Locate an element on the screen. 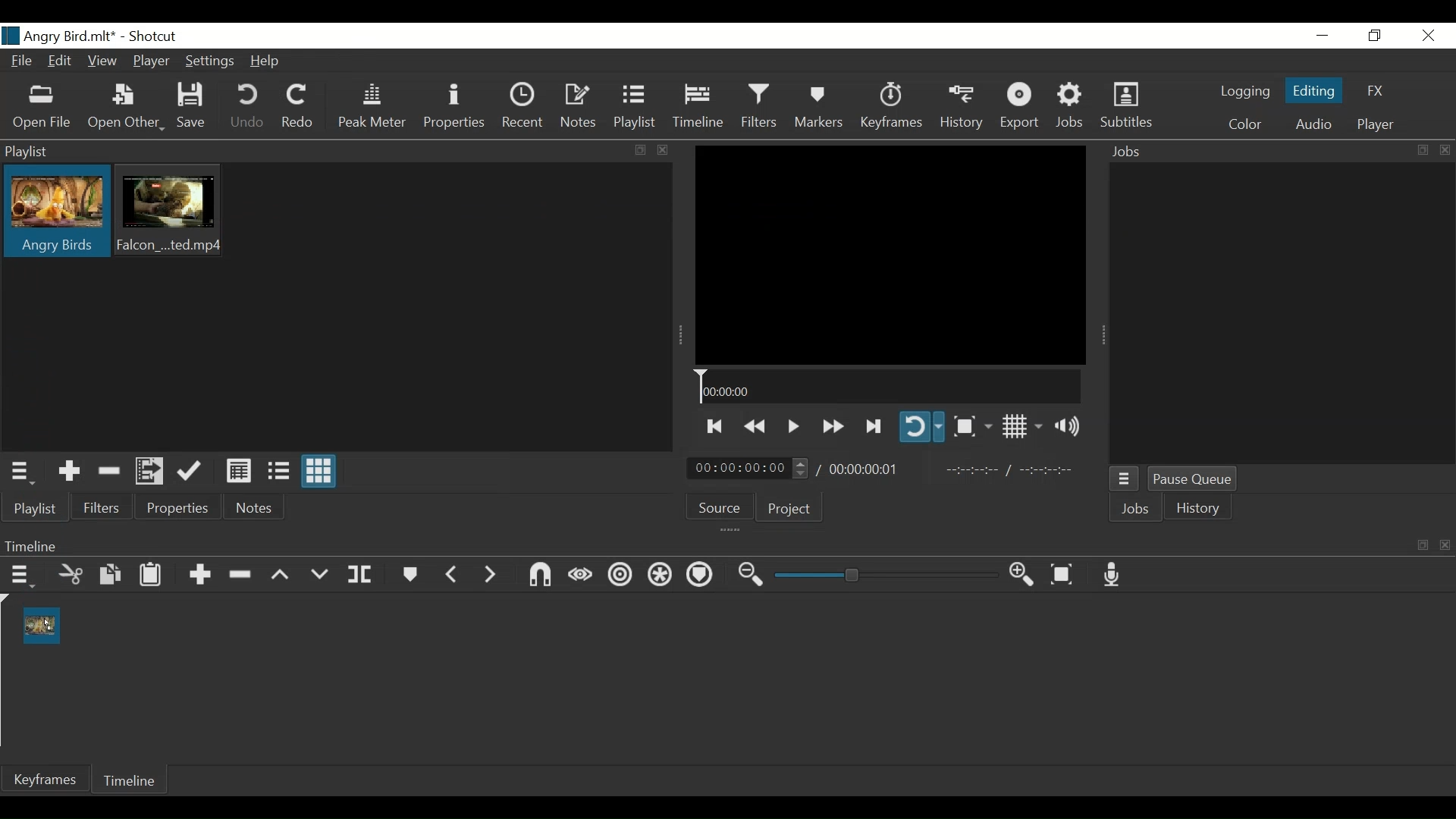 This screenshot has height=819, width=1456. Show volume control is located at coordinates (1070, 427).